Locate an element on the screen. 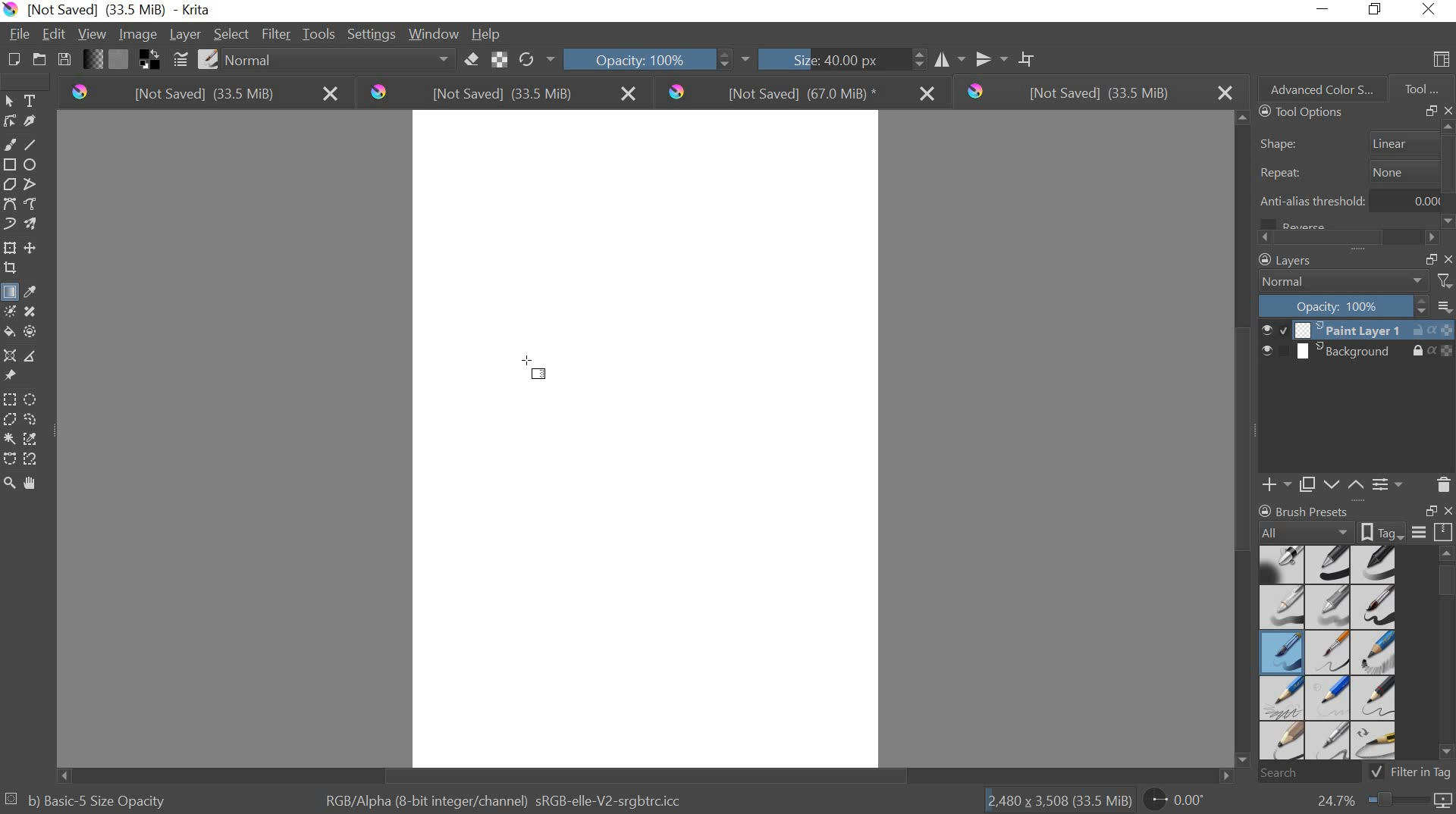 The width and height of the screenshot is (1456, 814). BACKGROUND is located at coordinates (1357, 353).